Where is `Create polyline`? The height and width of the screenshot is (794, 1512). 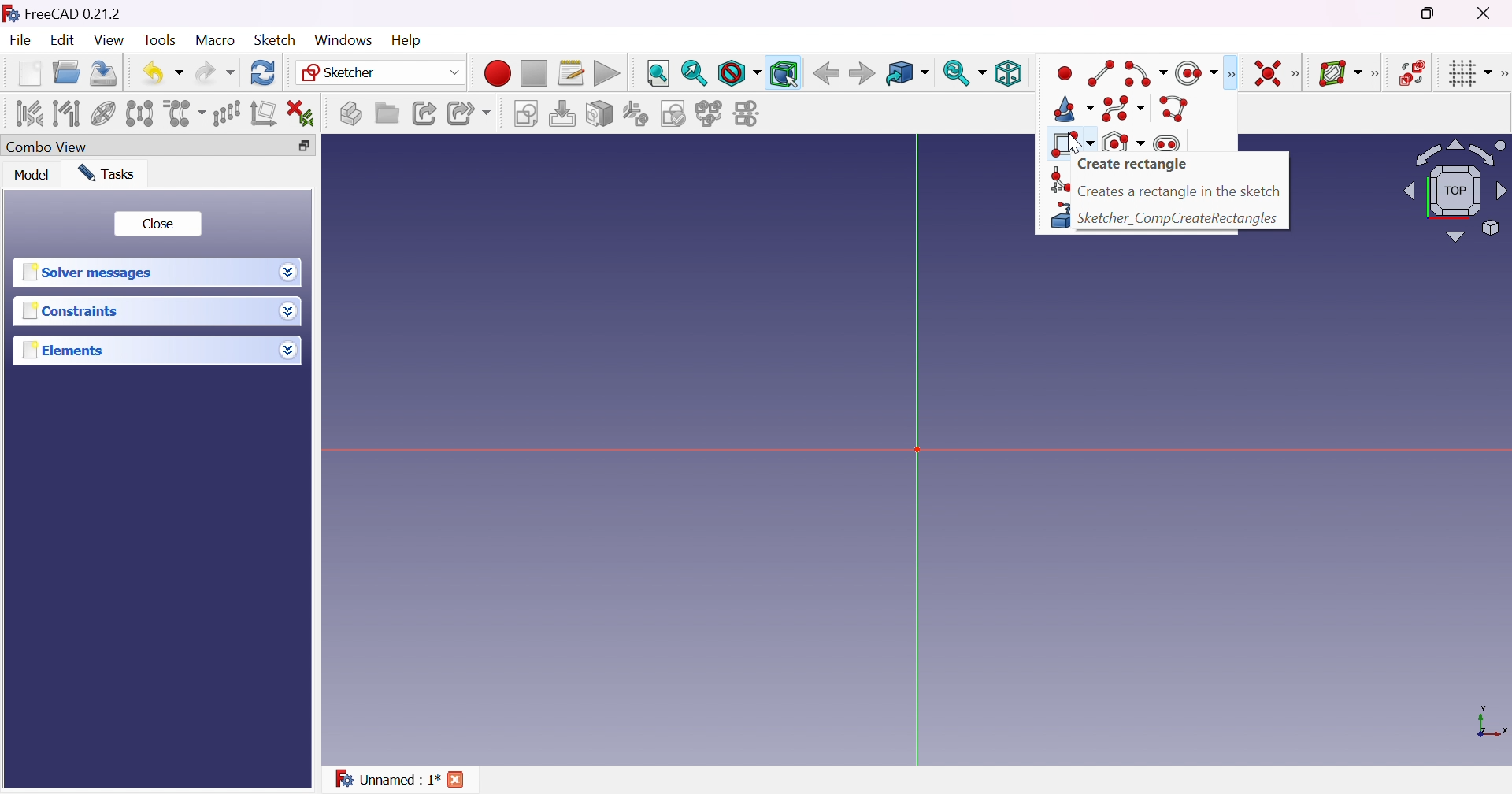
Create polyline is located at coordinates (1175, 109).